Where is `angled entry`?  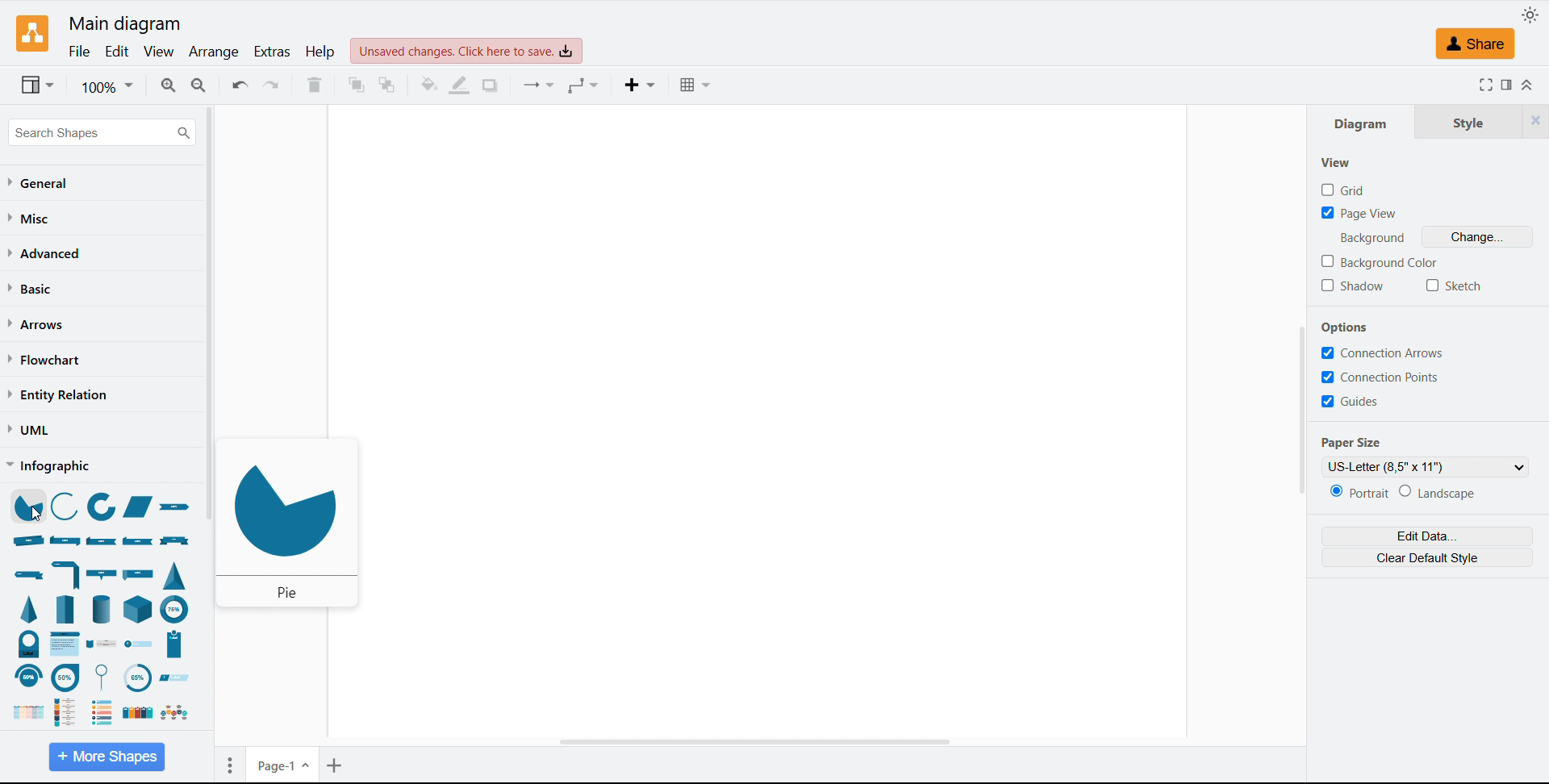 angled entry is located at coordinates (179, 678).